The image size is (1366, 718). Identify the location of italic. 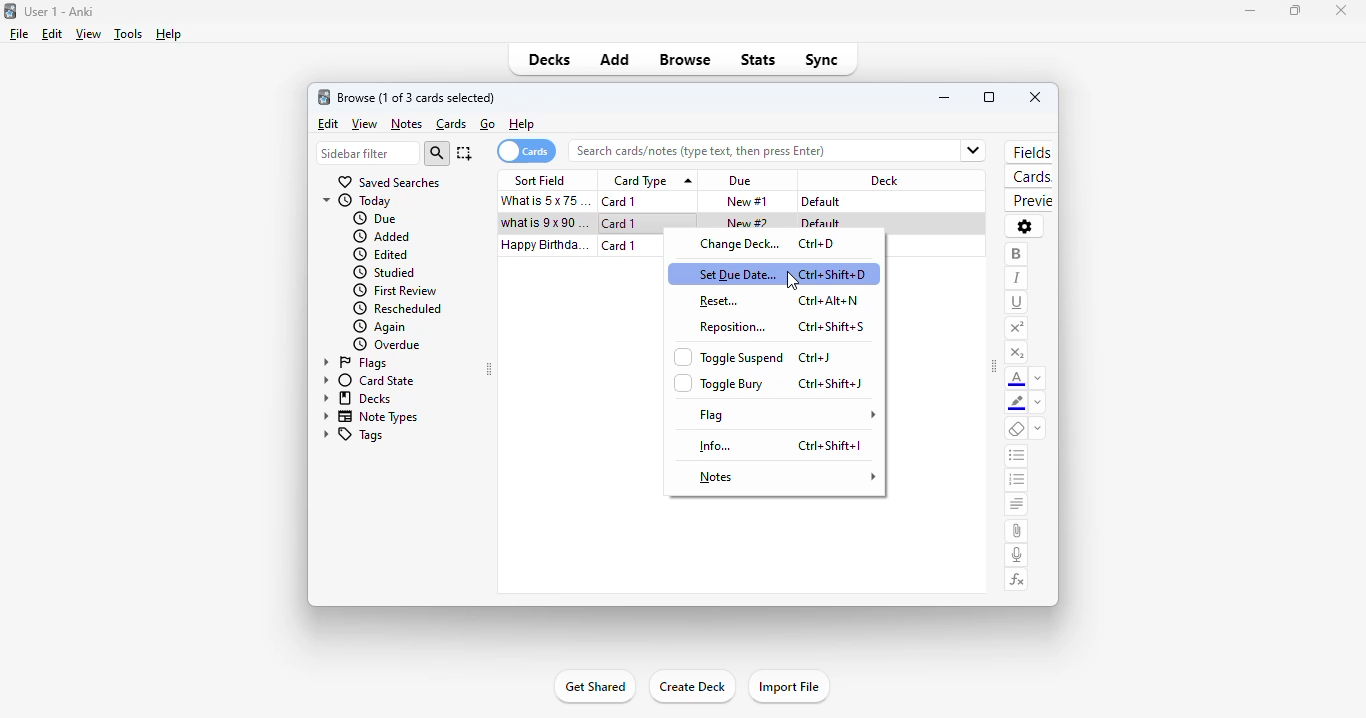
(1015, 278).